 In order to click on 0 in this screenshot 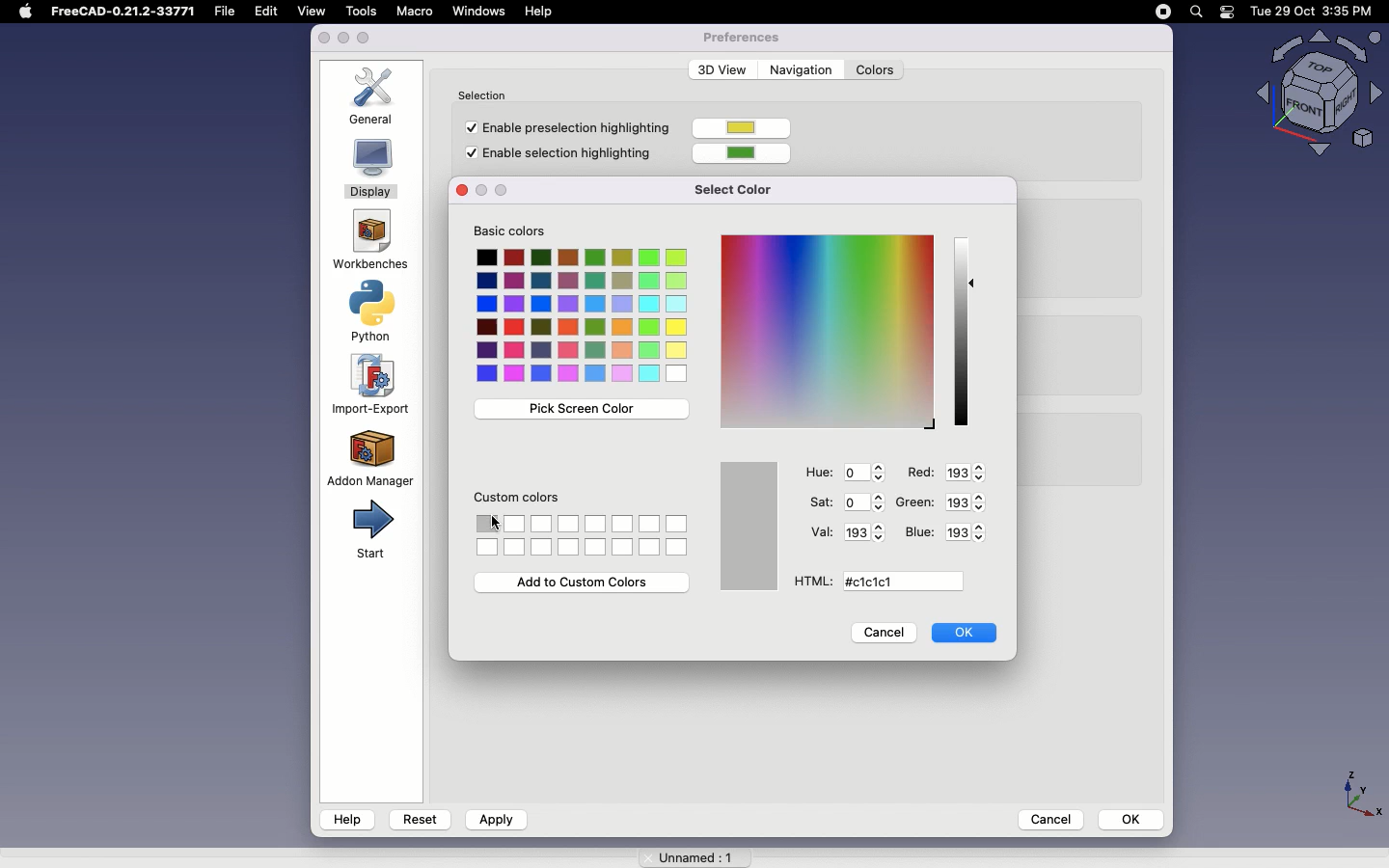, I will do `click(867, 473)`.